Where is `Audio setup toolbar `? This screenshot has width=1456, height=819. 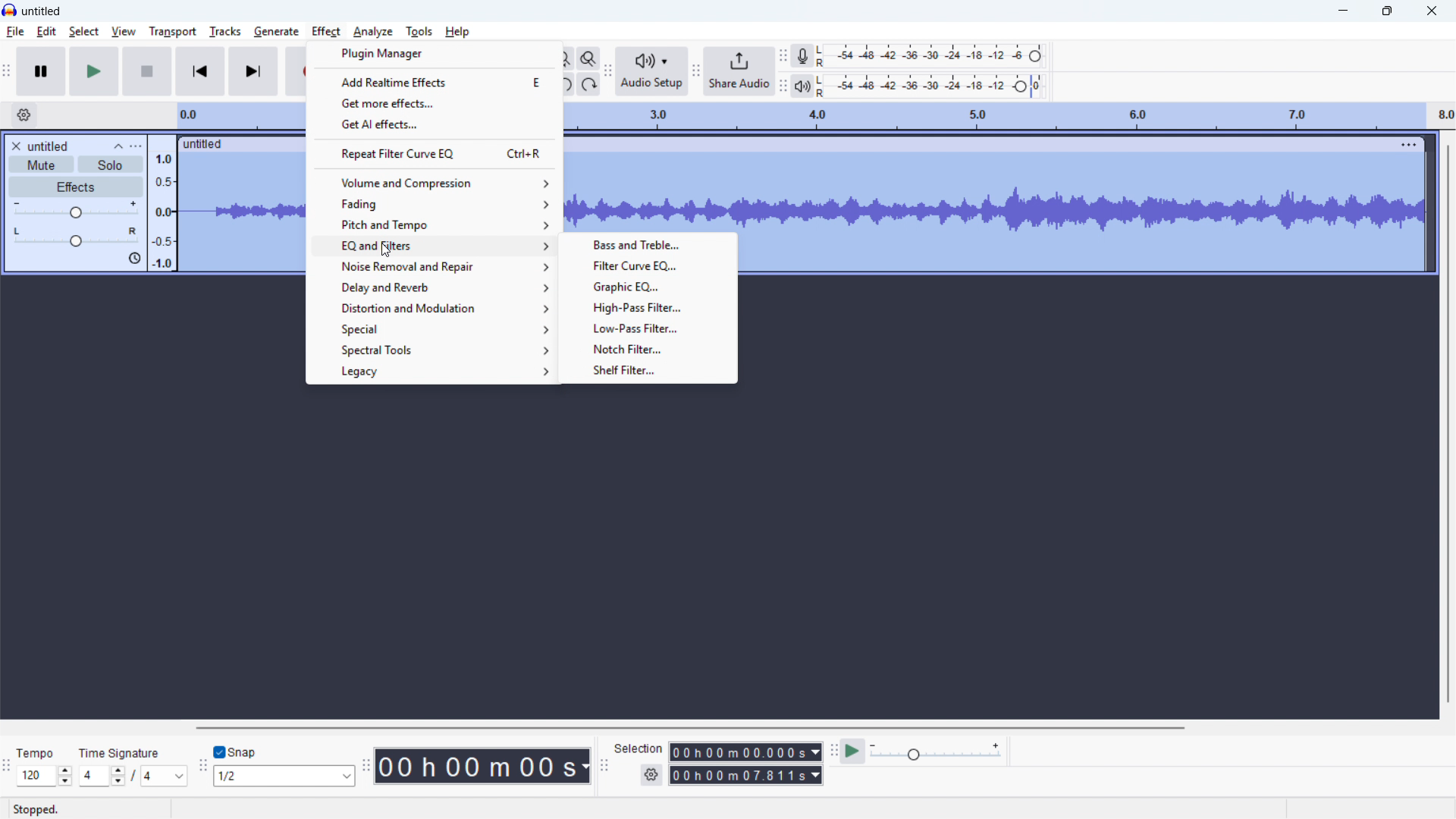
Audio setup toolbar  is located at coordinates (608, 72).